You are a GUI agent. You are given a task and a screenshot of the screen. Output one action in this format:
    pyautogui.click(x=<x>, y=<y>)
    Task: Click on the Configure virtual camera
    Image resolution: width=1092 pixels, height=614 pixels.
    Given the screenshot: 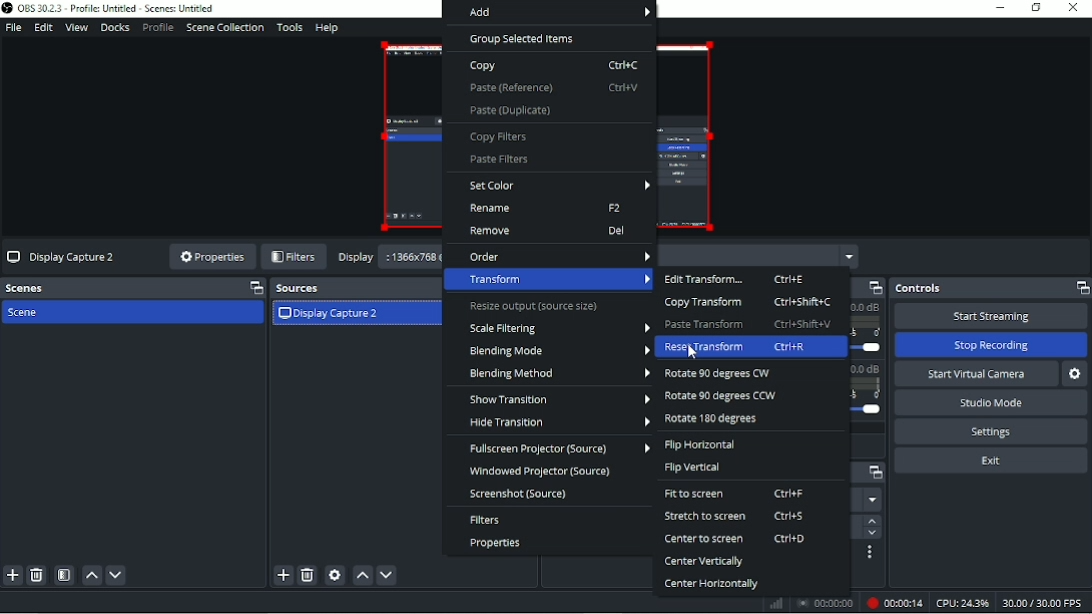 What is the action you would take?
    pyautogui.click(x=1077, y=374)
    